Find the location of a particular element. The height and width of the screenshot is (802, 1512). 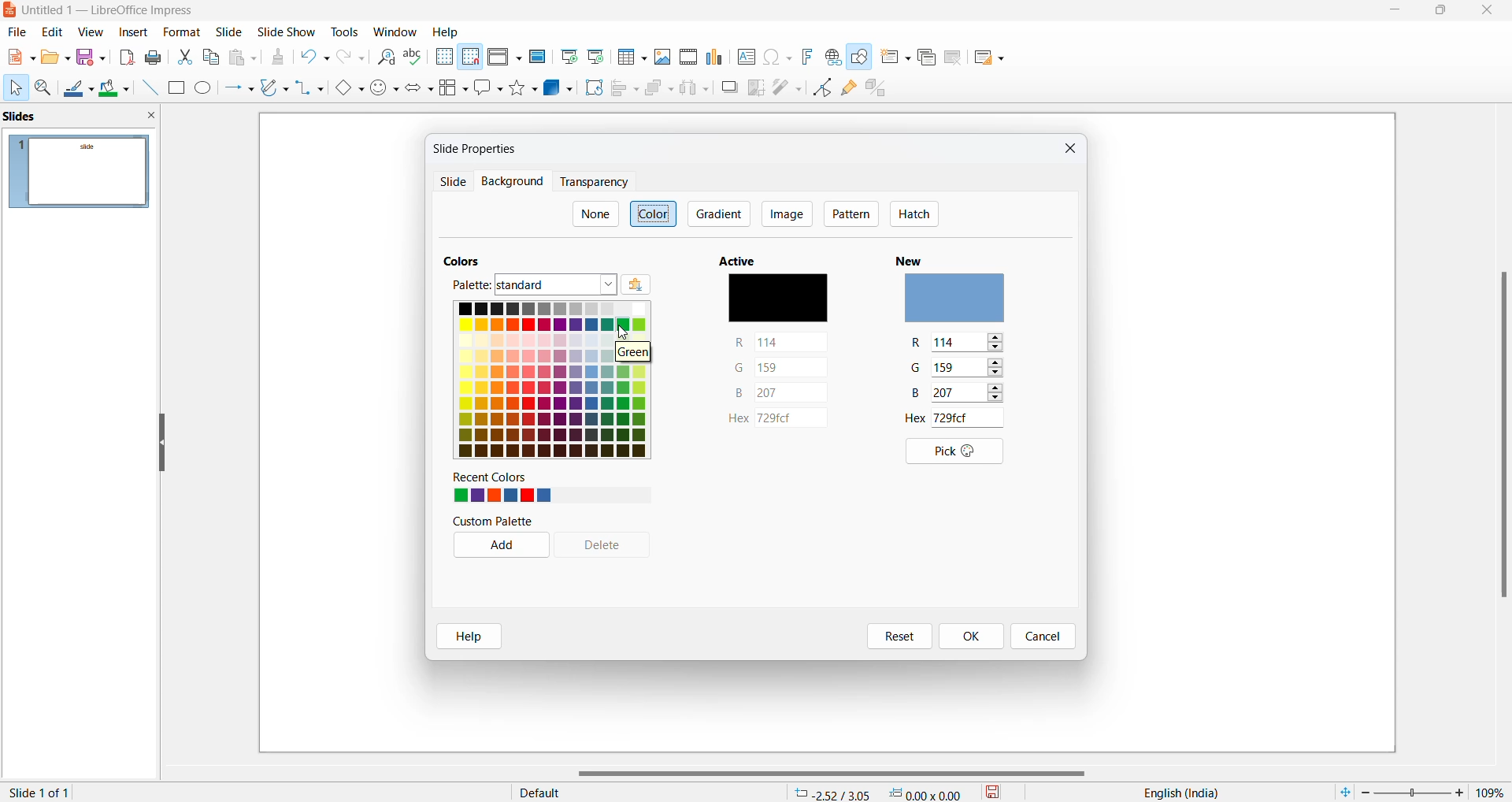

block arrows  is located at coordinates (421, 89).